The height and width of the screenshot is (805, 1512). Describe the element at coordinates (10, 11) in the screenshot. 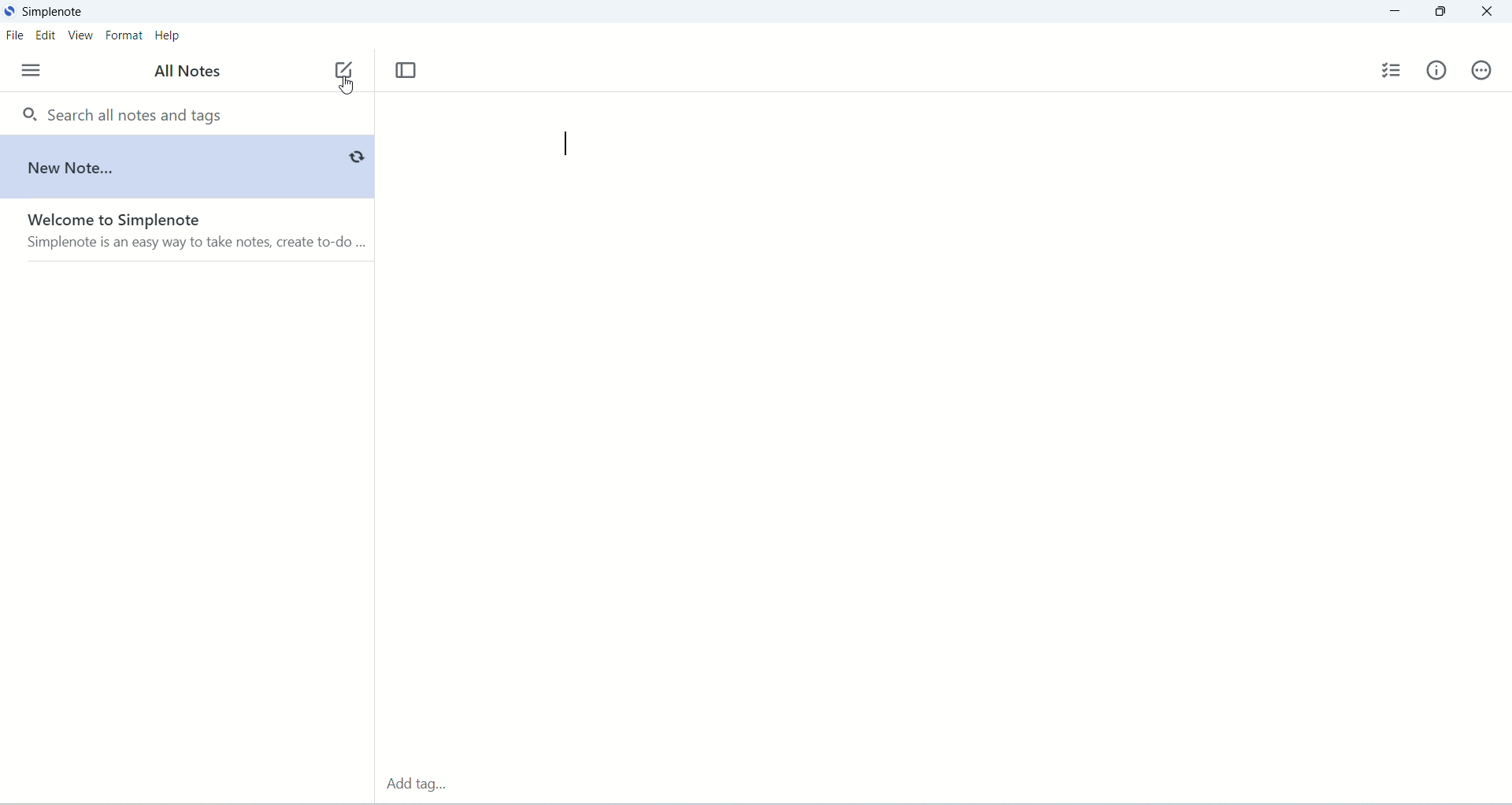

I see `logo` at that location.